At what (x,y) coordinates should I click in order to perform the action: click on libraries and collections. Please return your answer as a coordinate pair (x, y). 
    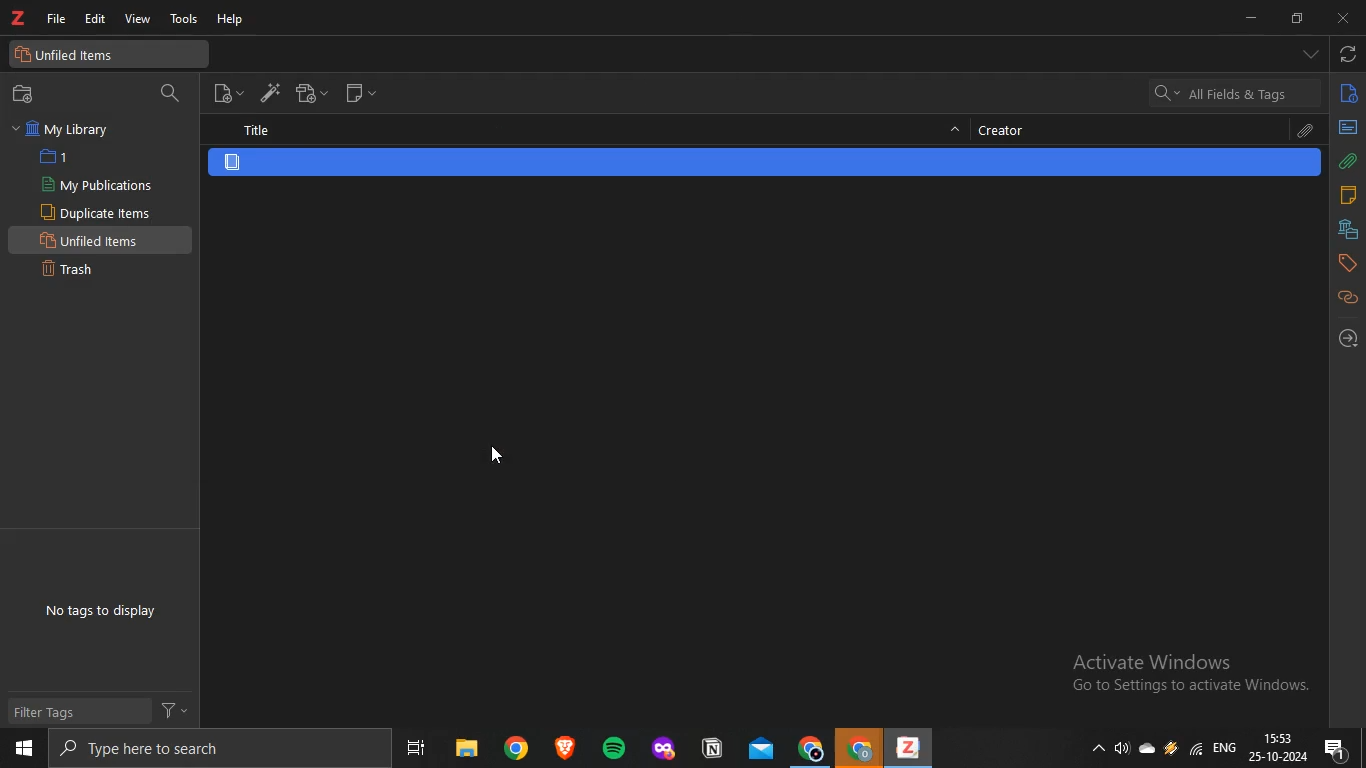
    Looking at the image, I should click on (1348, 228).